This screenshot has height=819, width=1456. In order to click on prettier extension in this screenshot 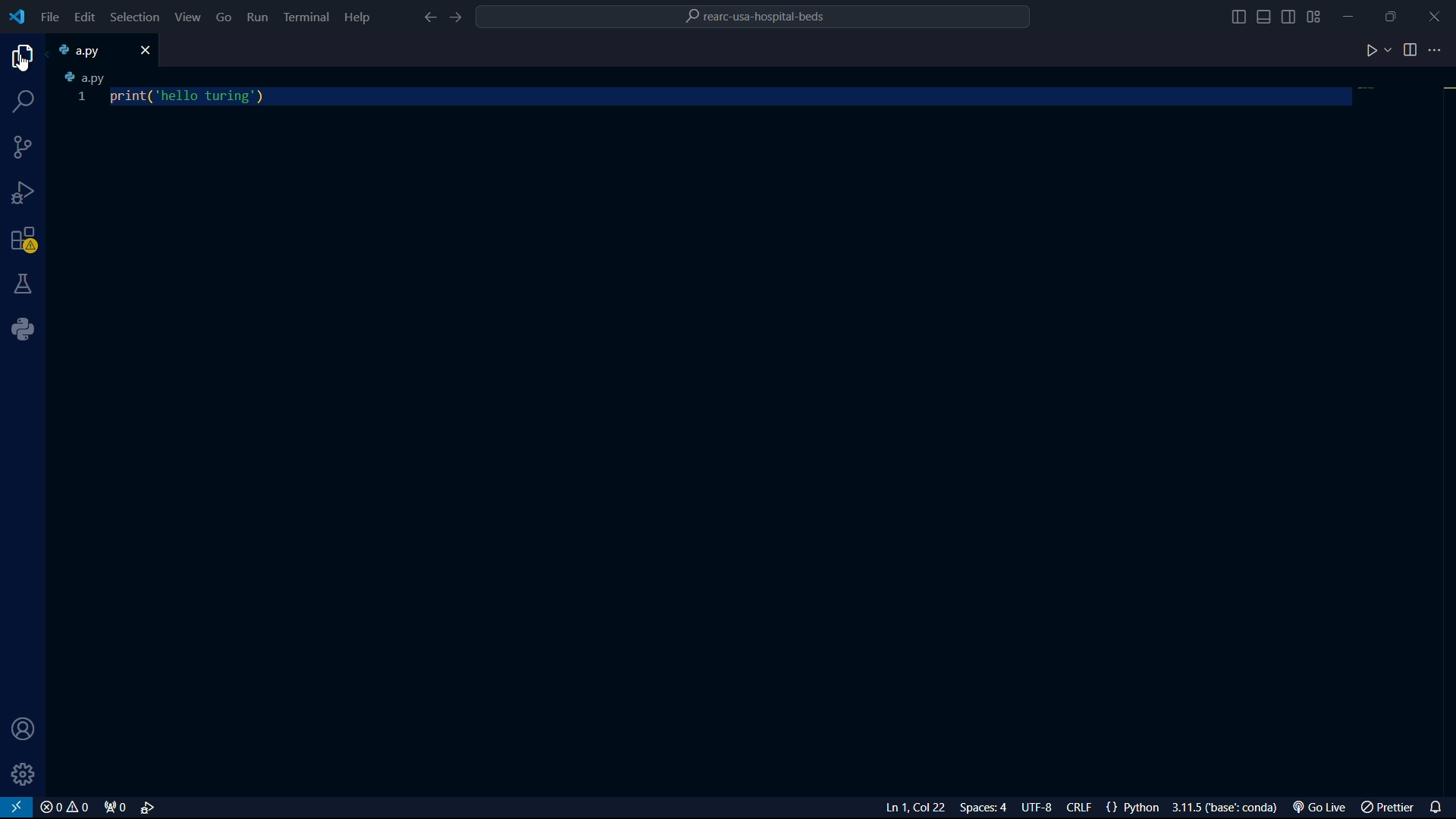, I will do `click(1385, 808)`.